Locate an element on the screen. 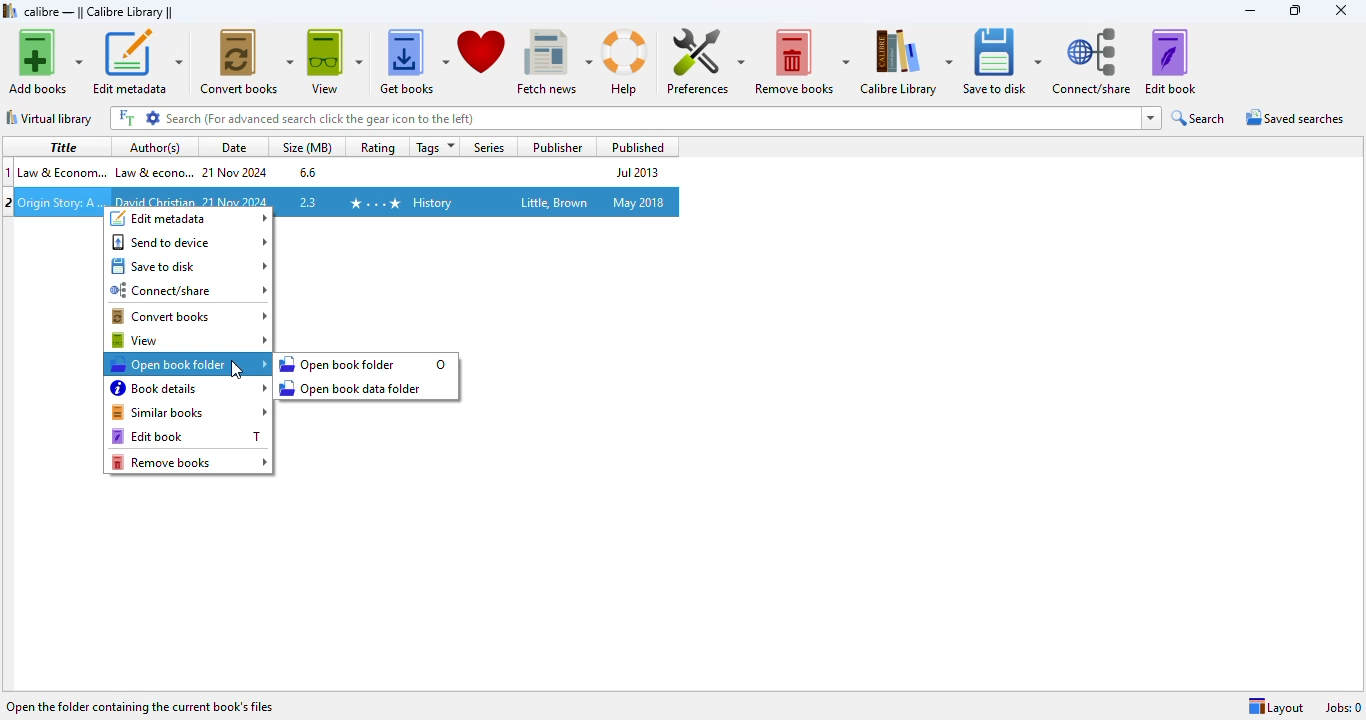 The width and height of the screenshot is (1366, 720). calibre library is located at coordinates (906, 62).